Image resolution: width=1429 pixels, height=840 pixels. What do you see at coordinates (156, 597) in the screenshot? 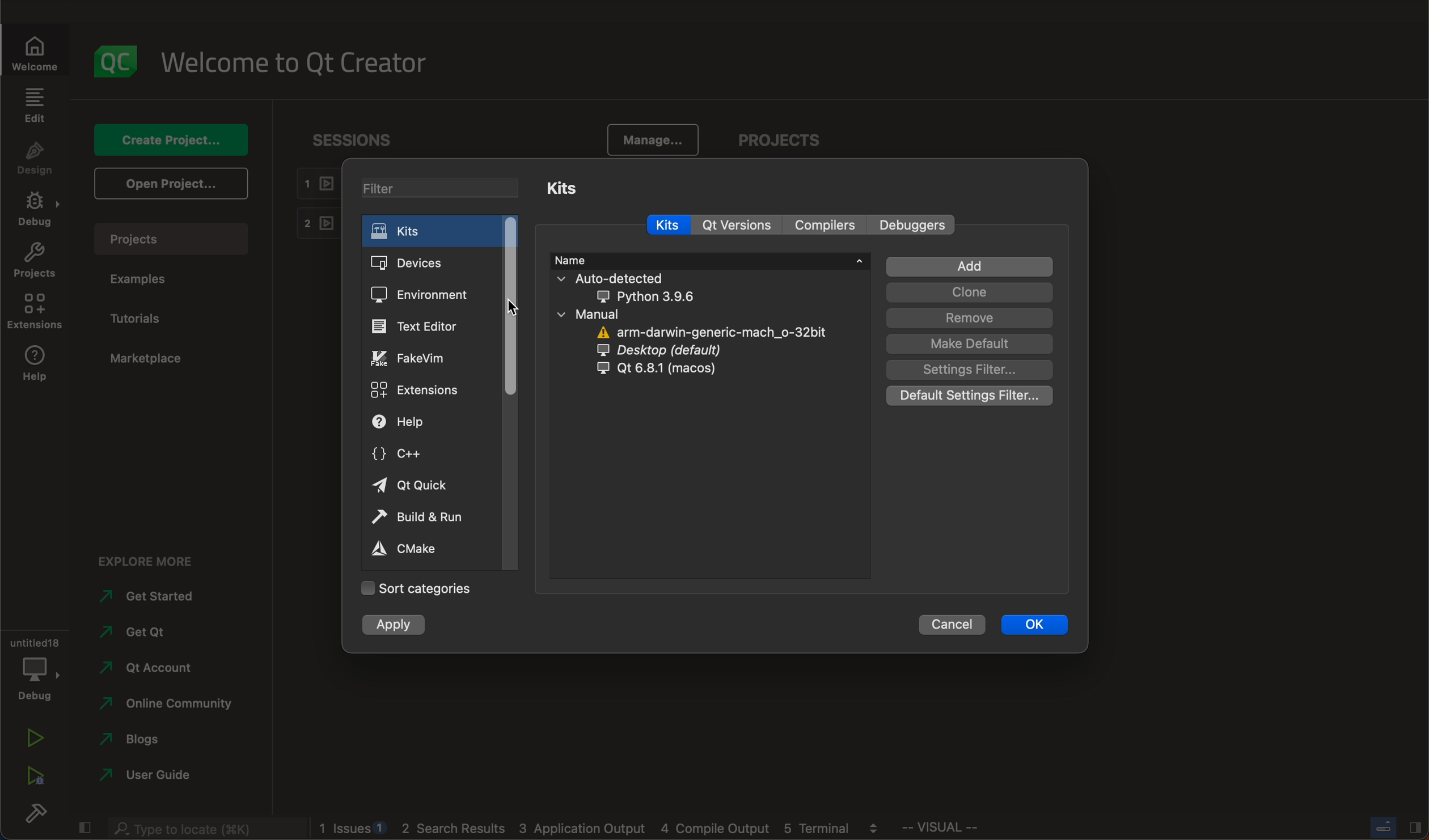
I see `started` at bounding box center [156, 597].